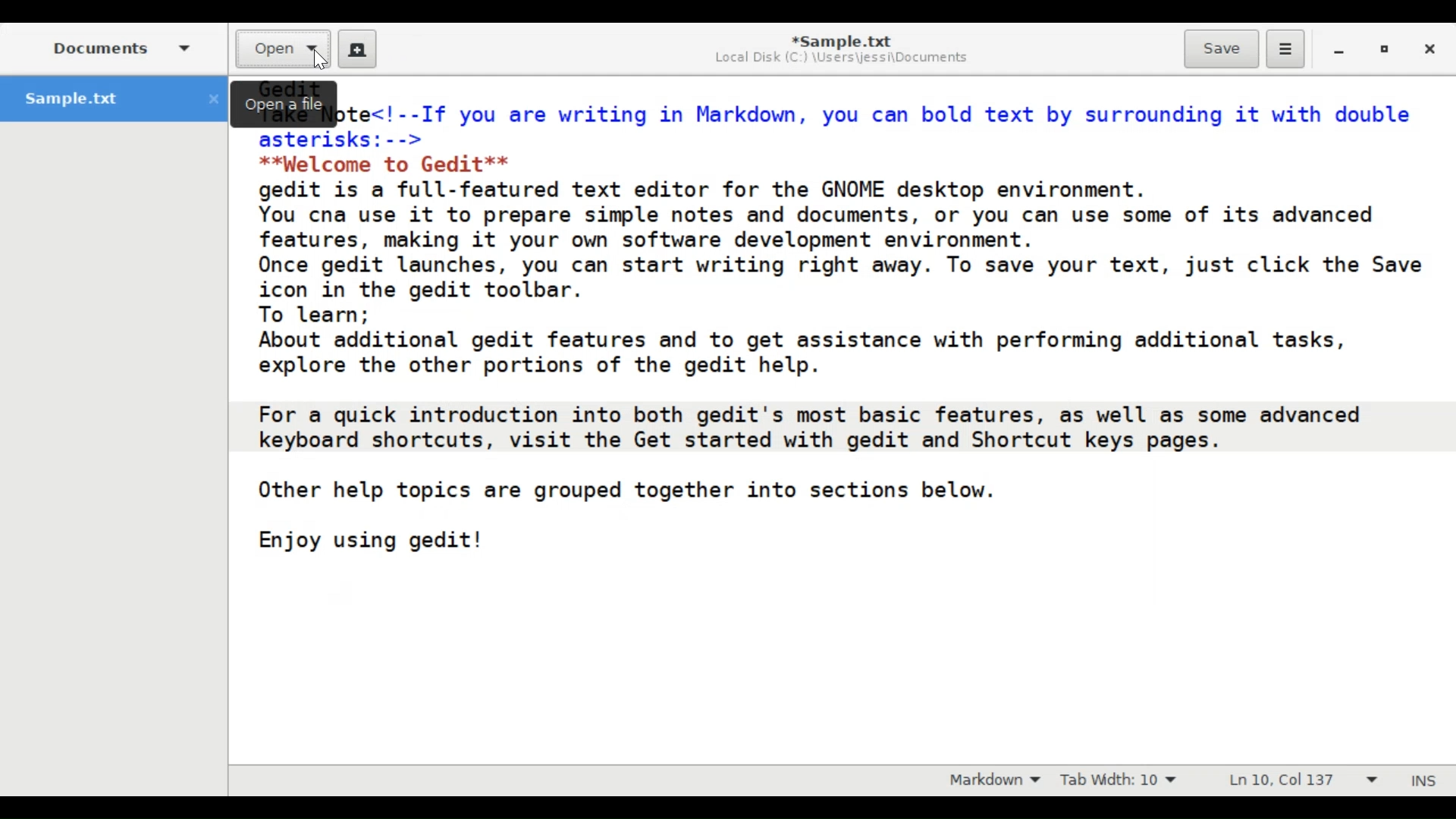 The height and width of the screenshot is (819, 1456). Describe the element at coordinates (1426, 780) in the screenshot. I see `INS` at that location.